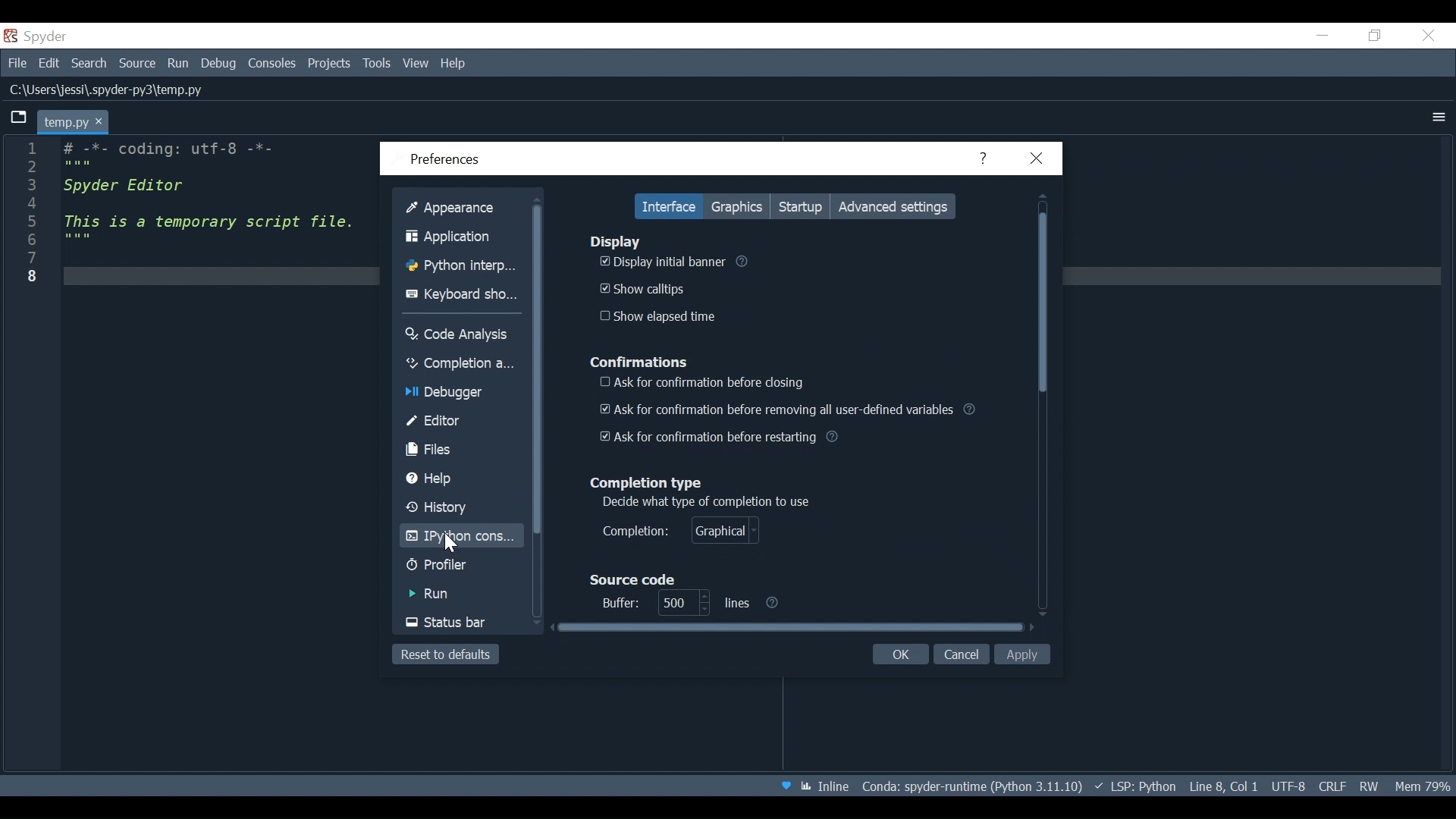 Image resolution: width=1456 pixels, height=819 pixels. What do you see at coordinates (15, 63) in the screenshot?
I see `File` at bounding box center [15, 63].